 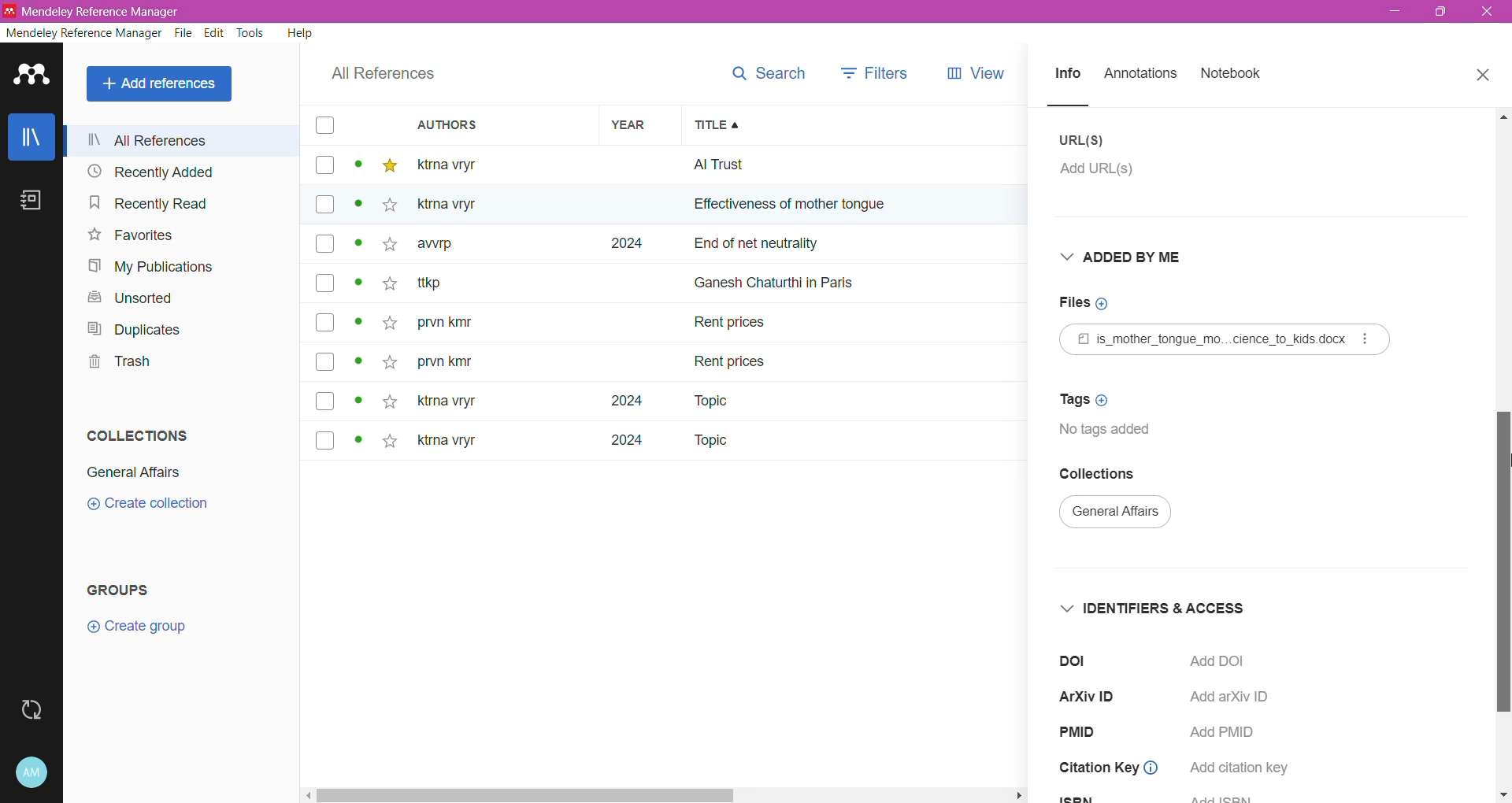 I want to click on views , so click(x=987, y=73).